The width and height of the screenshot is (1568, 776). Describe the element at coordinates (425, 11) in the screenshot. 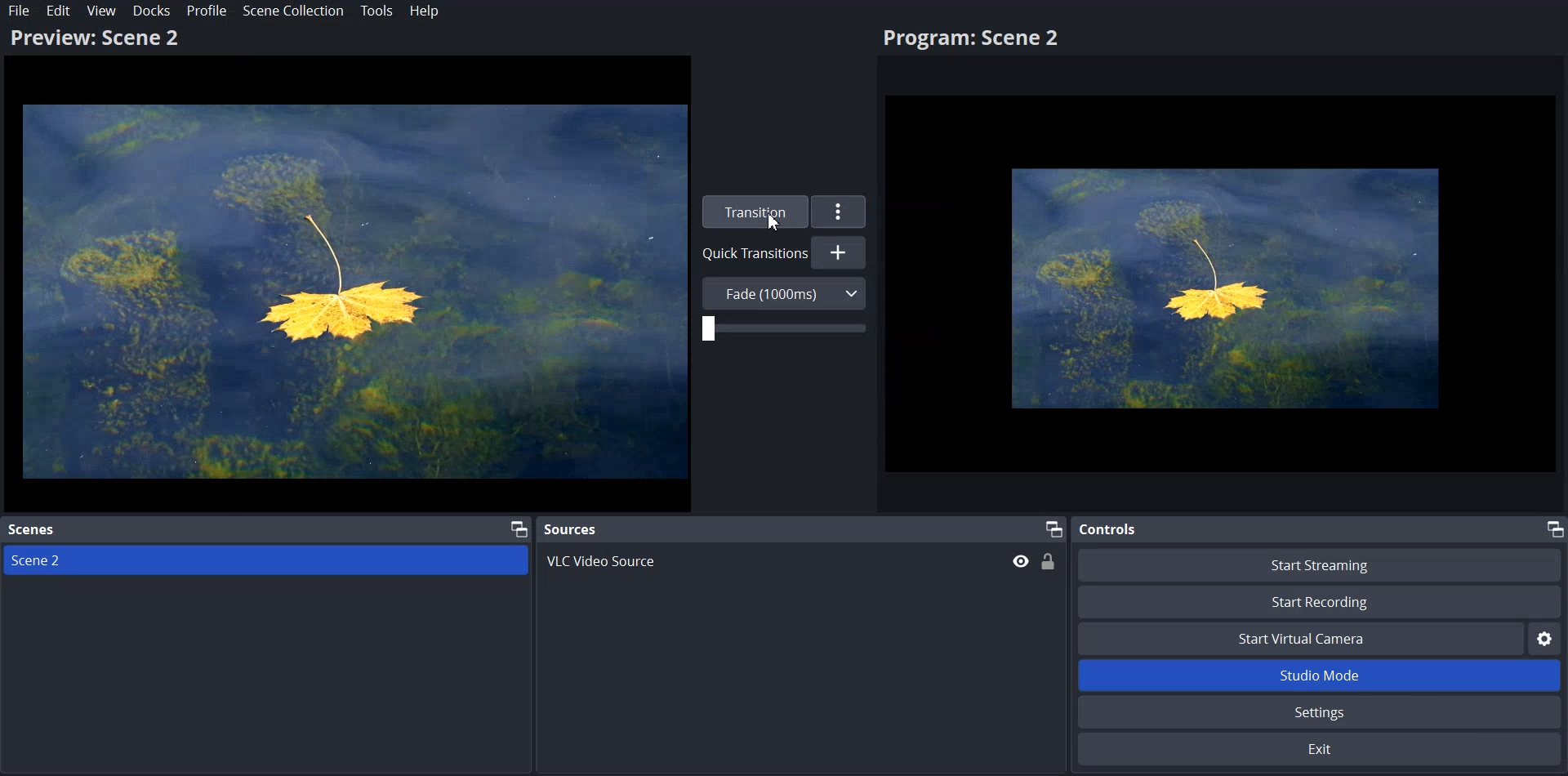

I see `Help` at that location.